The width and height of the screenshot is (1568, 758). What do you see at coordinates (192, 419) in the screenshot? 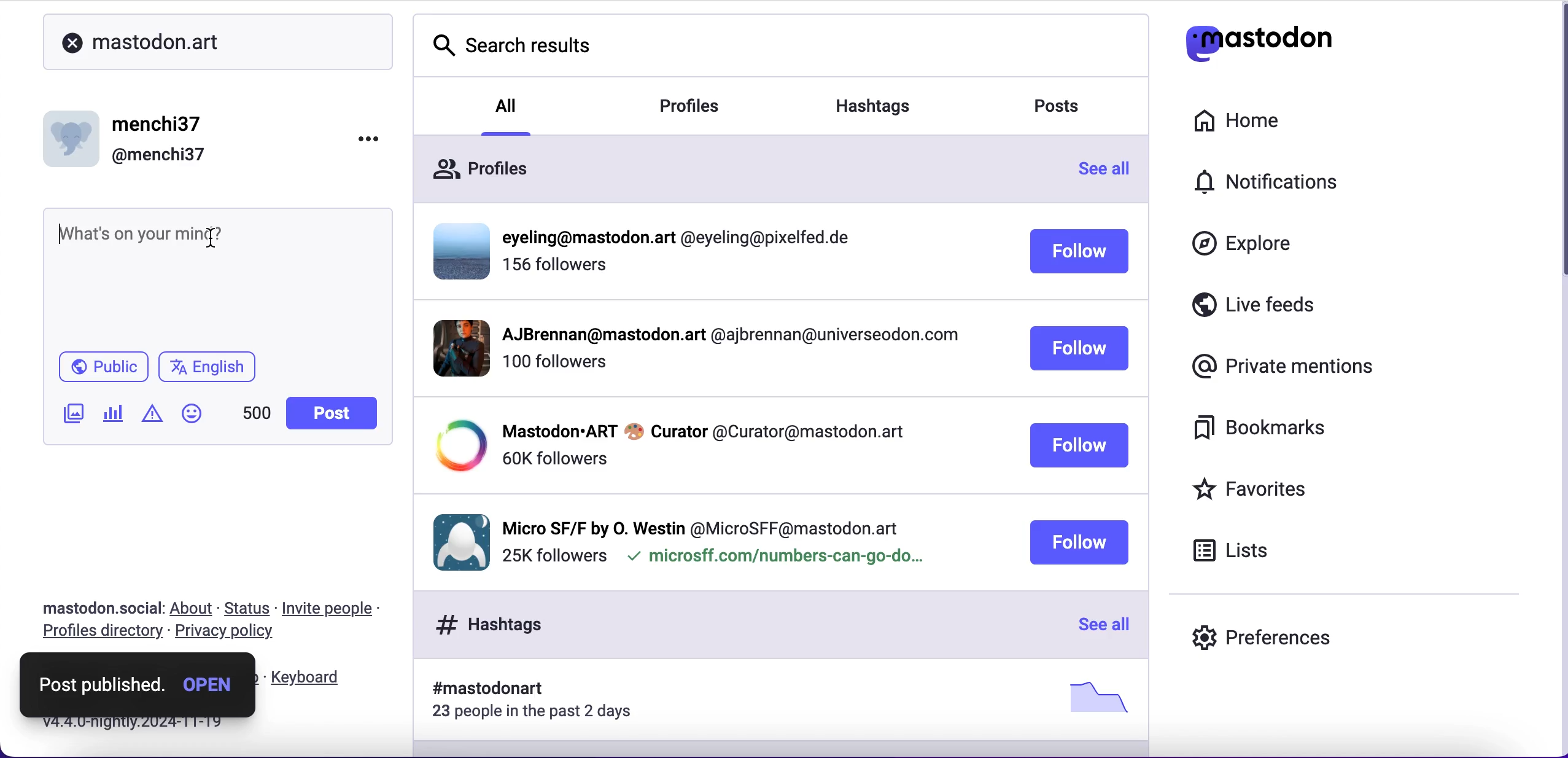
I see `add emoji` at bounding box center [192, 419].